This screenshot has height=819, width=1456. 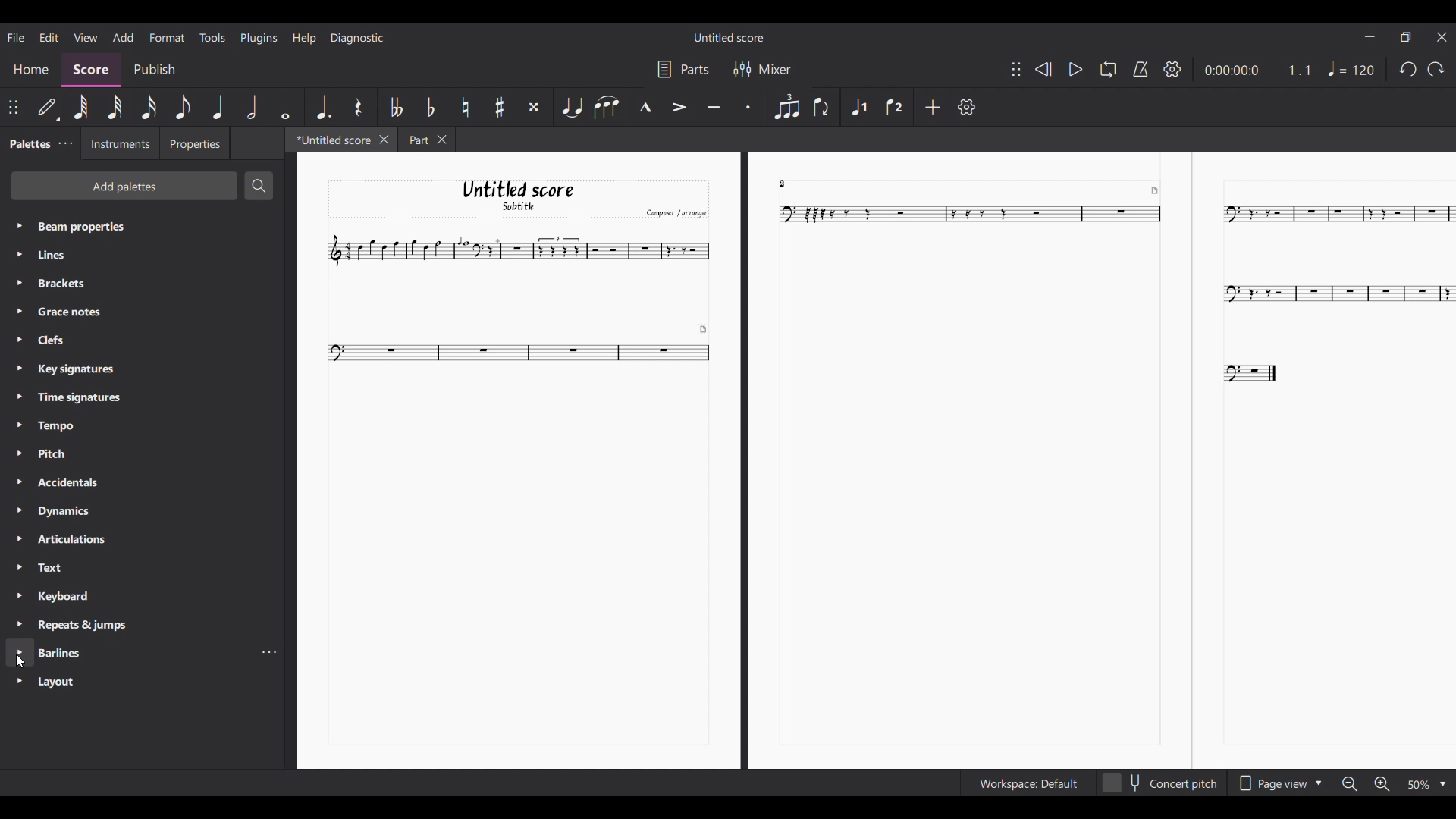 I want to click on Barline settings, so click(x=269, y=651).